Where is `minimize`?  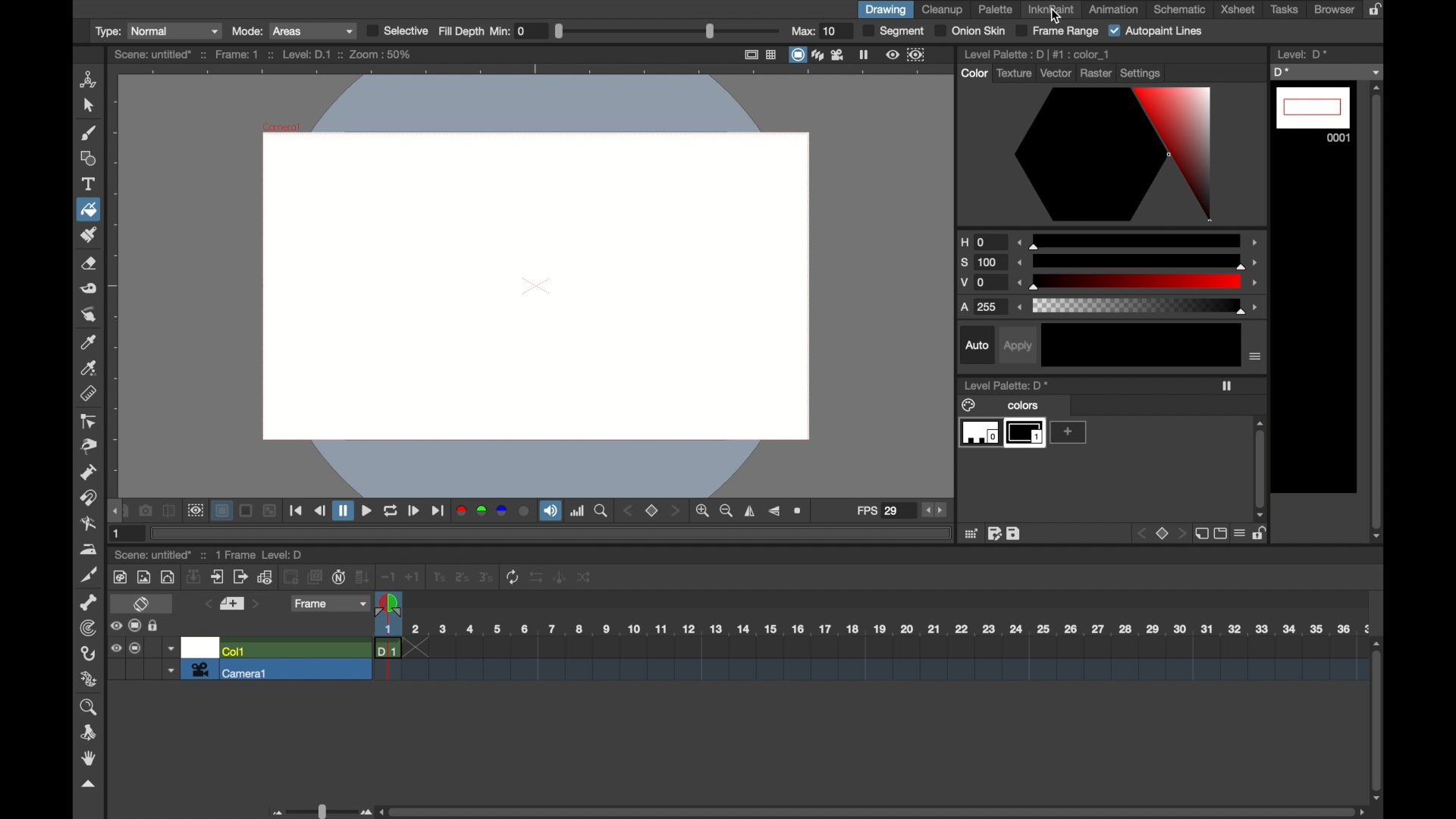 minimize is located at coordinates (271, 511).